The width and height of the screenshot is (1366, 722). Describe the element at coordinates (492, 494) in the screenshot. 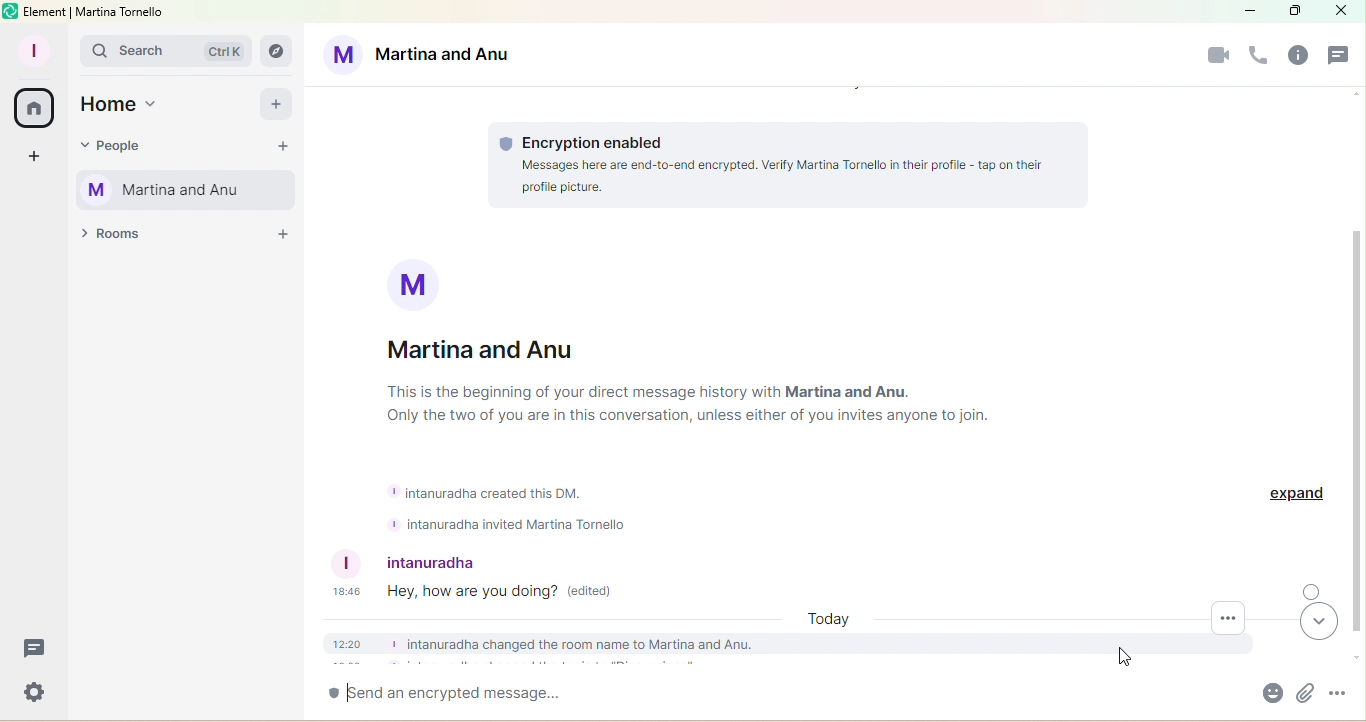

I see `intanuradha created this DM.` at that location.